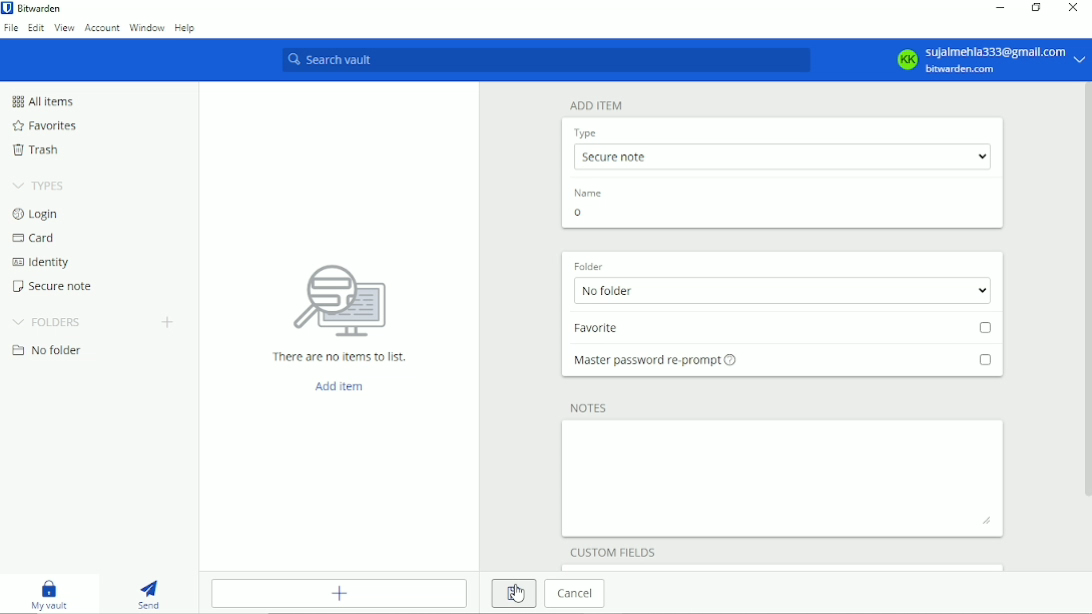  Describe the element at coordinates (586, 133) in the screenshot. I see `Type` at that location.